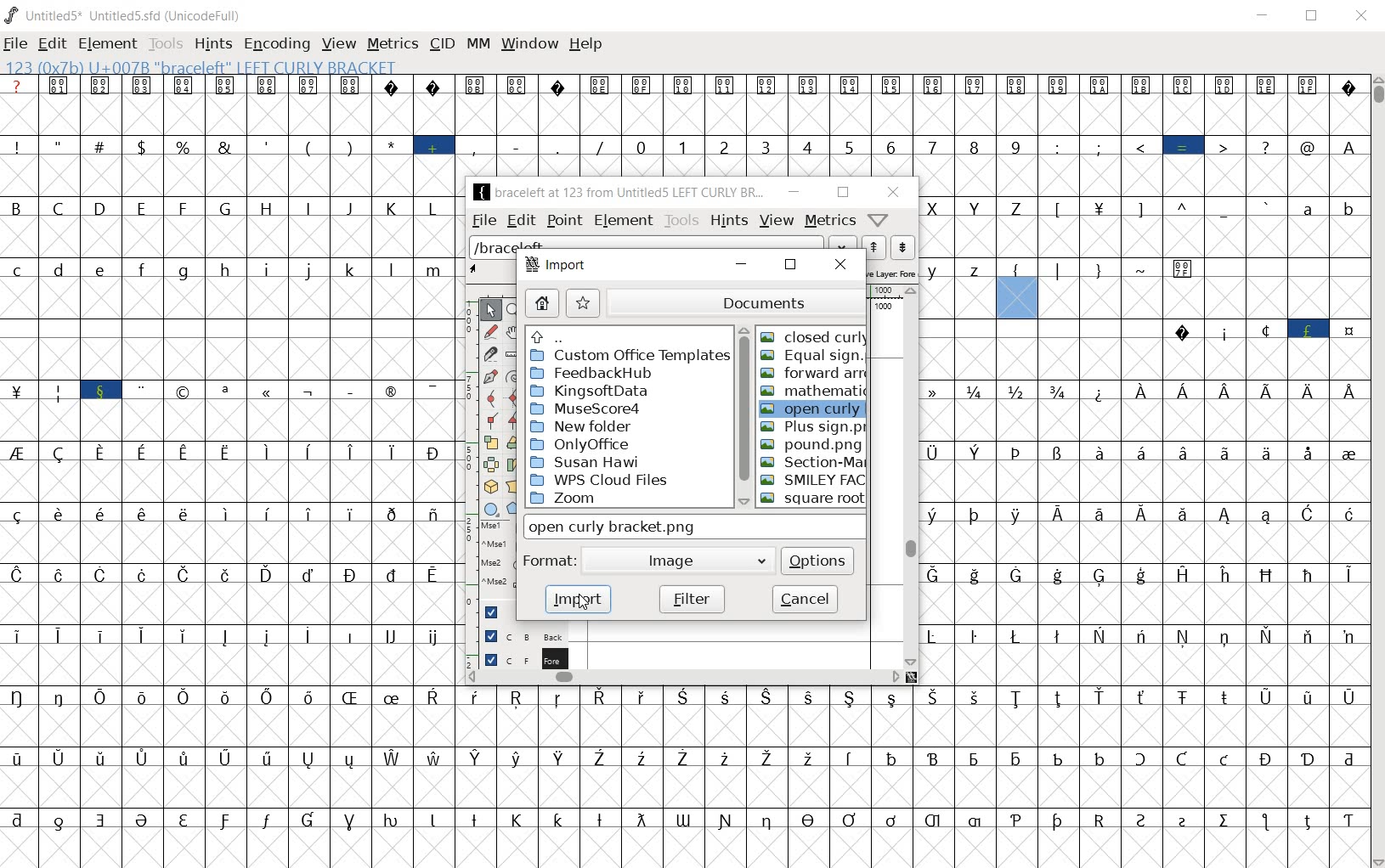  Describe the element at coordinates (892, 193) in the screenshot. I see `close` at that location.